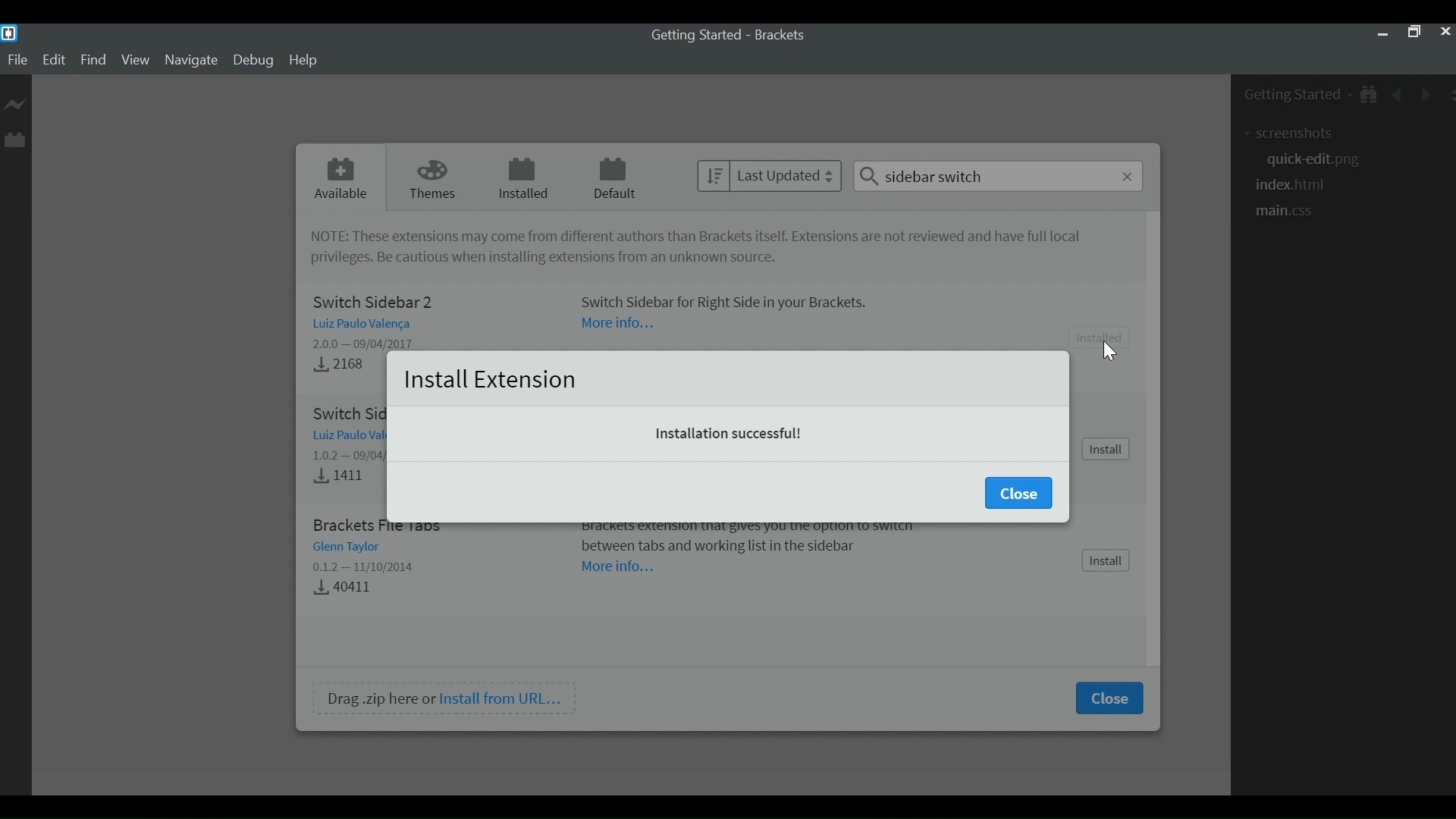  What do you see at coordinates (1288, 212) in the screenshot?
I see `css file` at bounding box center [1288, 212].